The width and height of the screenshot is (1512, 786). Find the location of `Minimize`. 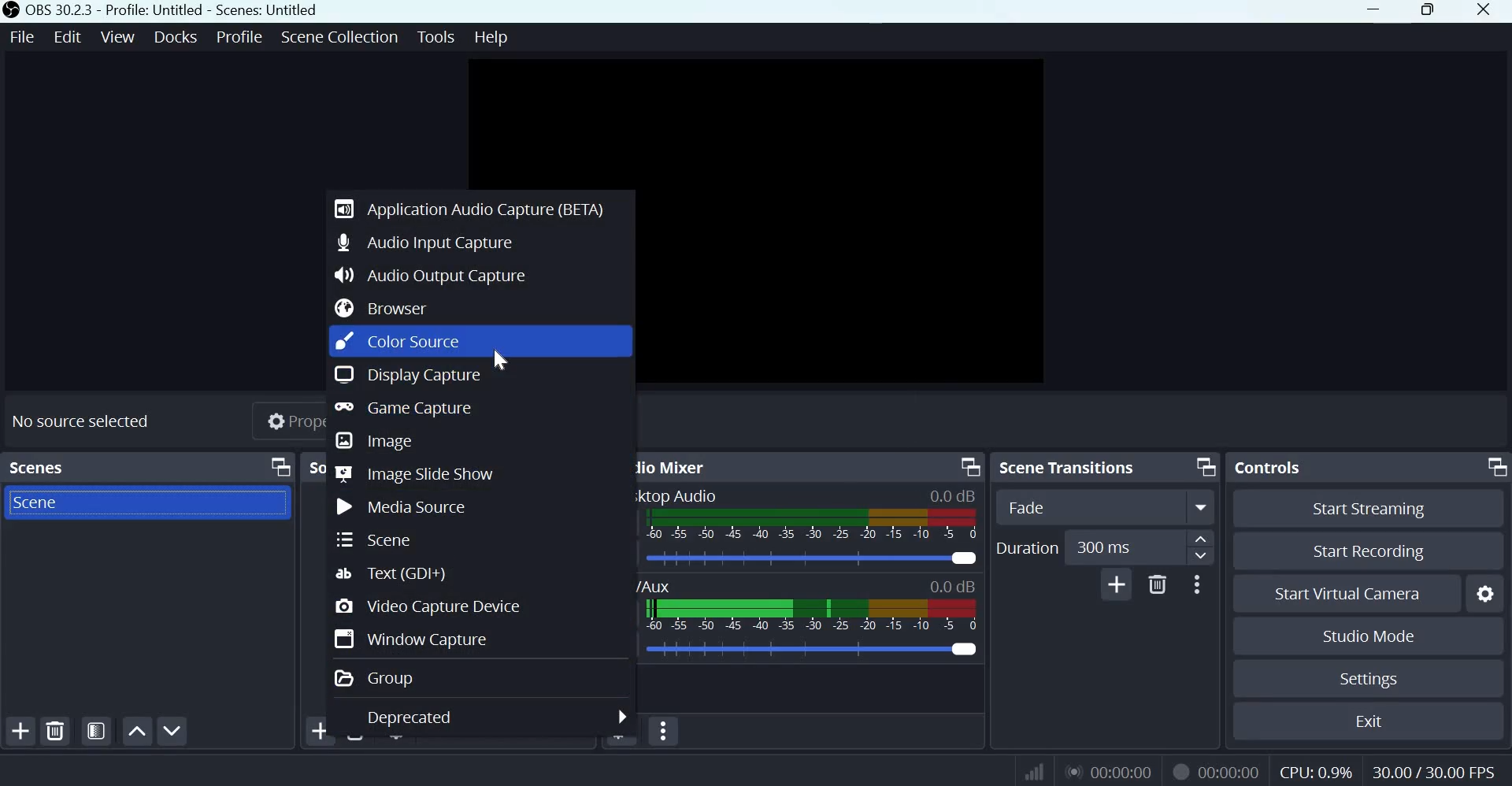

Minimize is located at coordinates (1373, 13).